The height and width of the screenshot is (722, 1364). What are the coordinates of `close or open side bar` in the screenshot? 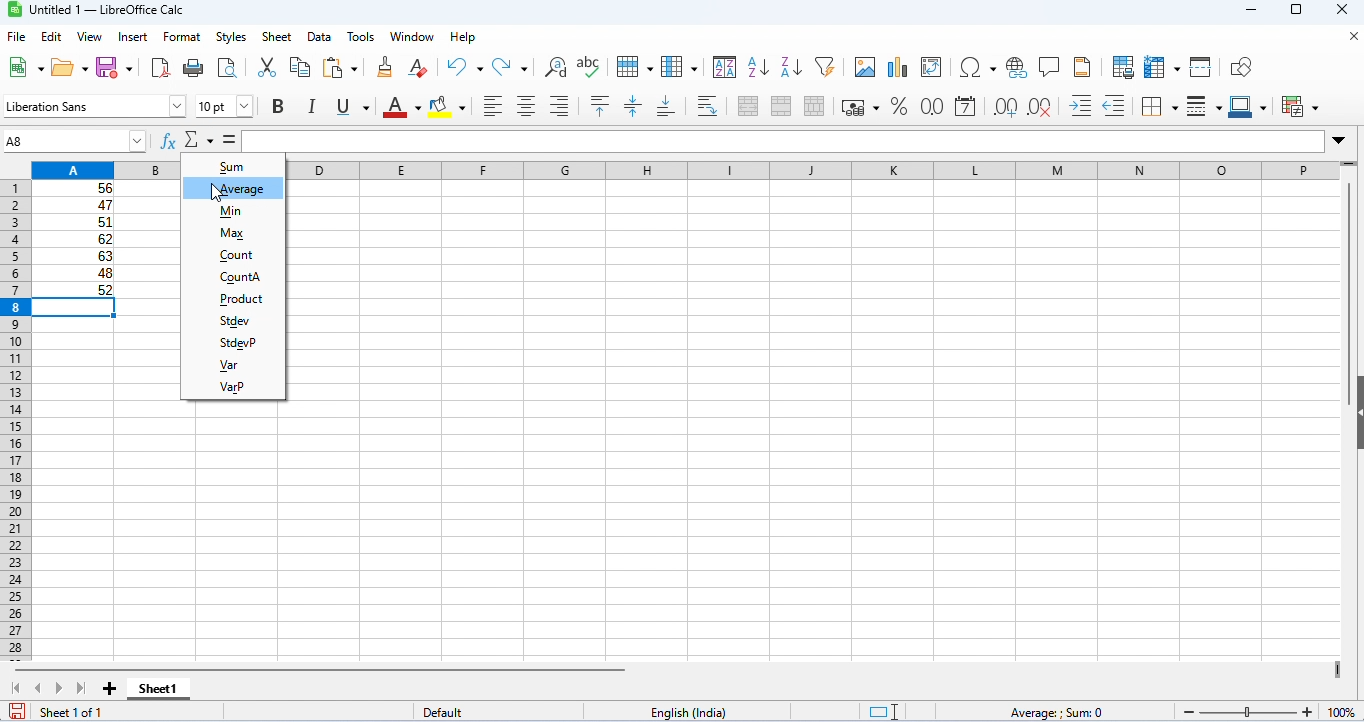 It's located at (1355, 428).